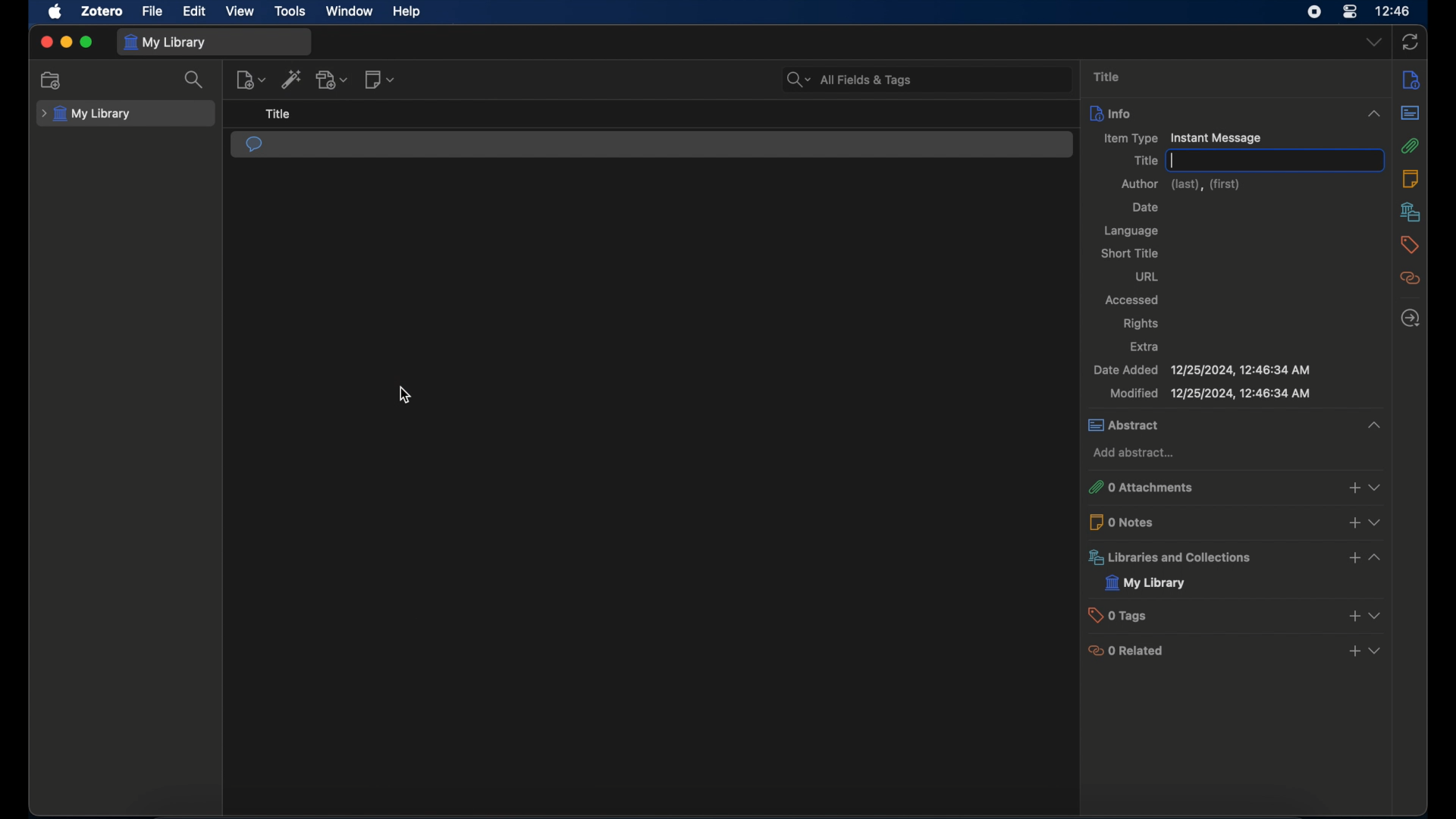  What do you see at coordinates (1180, 184) in the screenshot?
I see `author` at bounding box center [1180, 184].